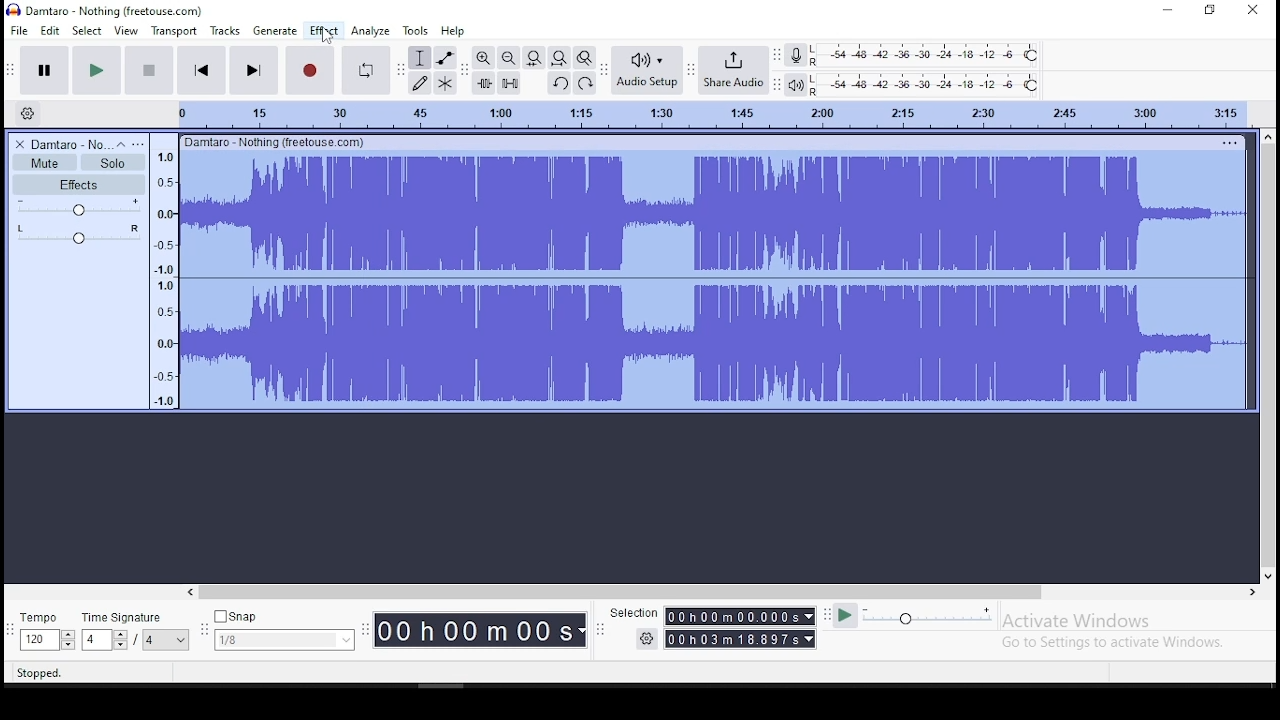  I want to click on mute, so click(45, 162).